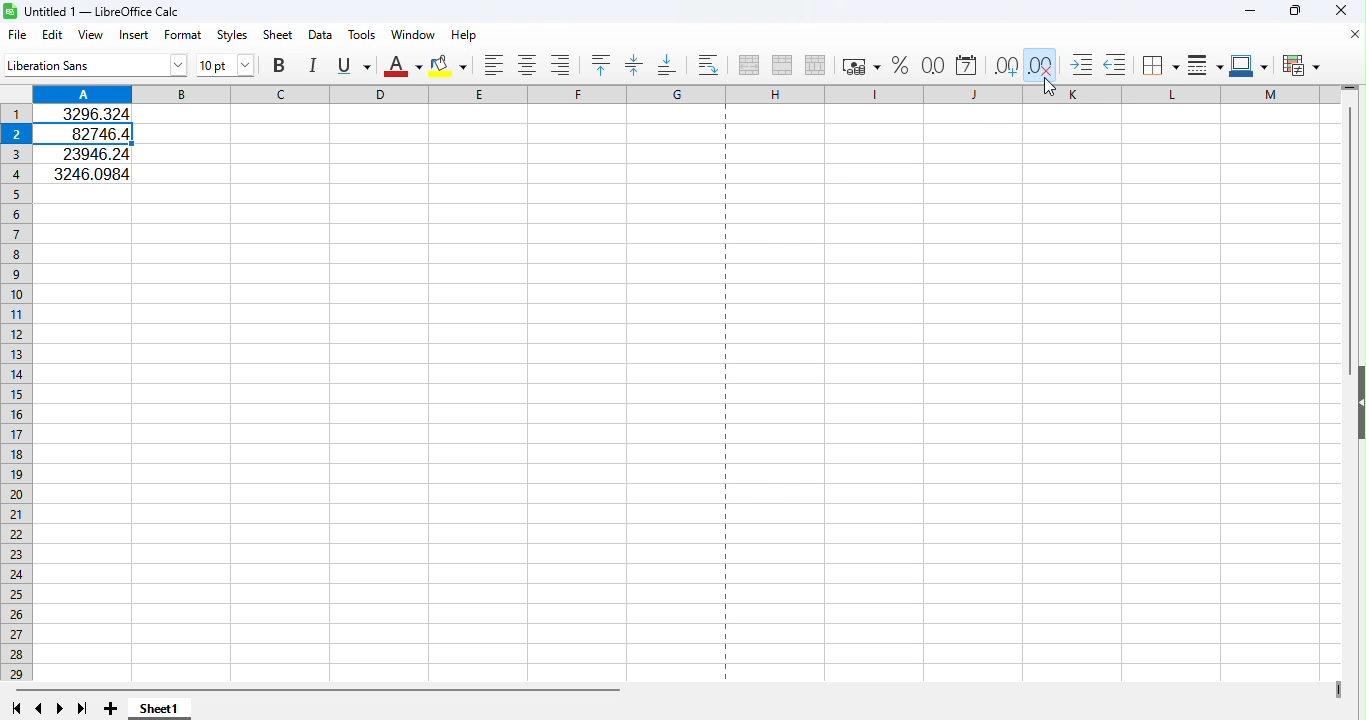 The width and height of the screenshot is (1366, 720). What do you see at coordinates (51, 34) in the screenshot?
I see `Edit` at bounding box center [51, 34].